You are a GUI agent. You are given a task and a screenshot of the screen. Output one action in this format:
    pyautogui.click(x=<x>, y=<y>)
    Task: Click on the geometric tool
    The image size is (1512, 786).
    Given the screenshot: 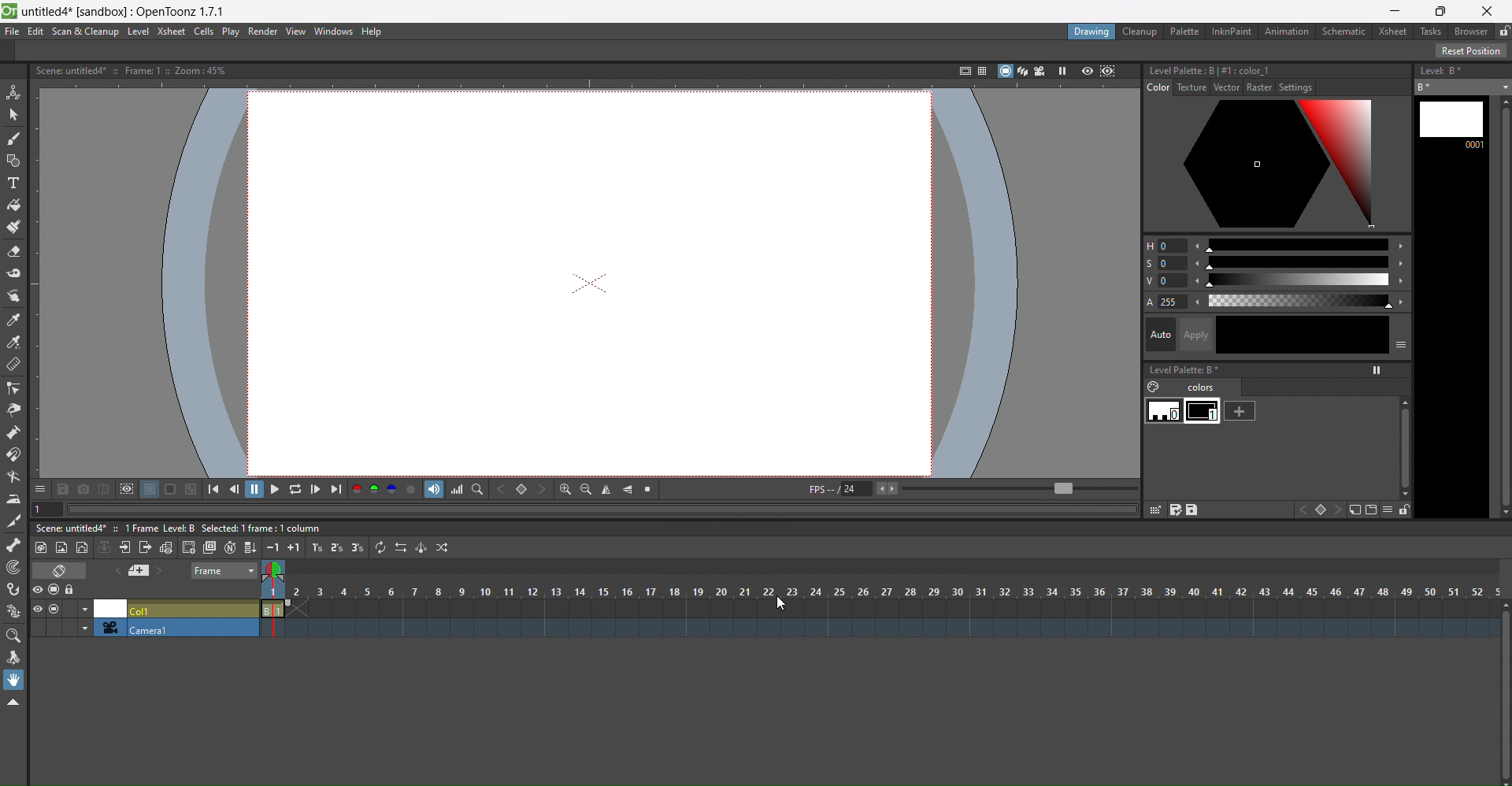 What is the action you would take?
    pyautogui.click(x=13, y=162)
    